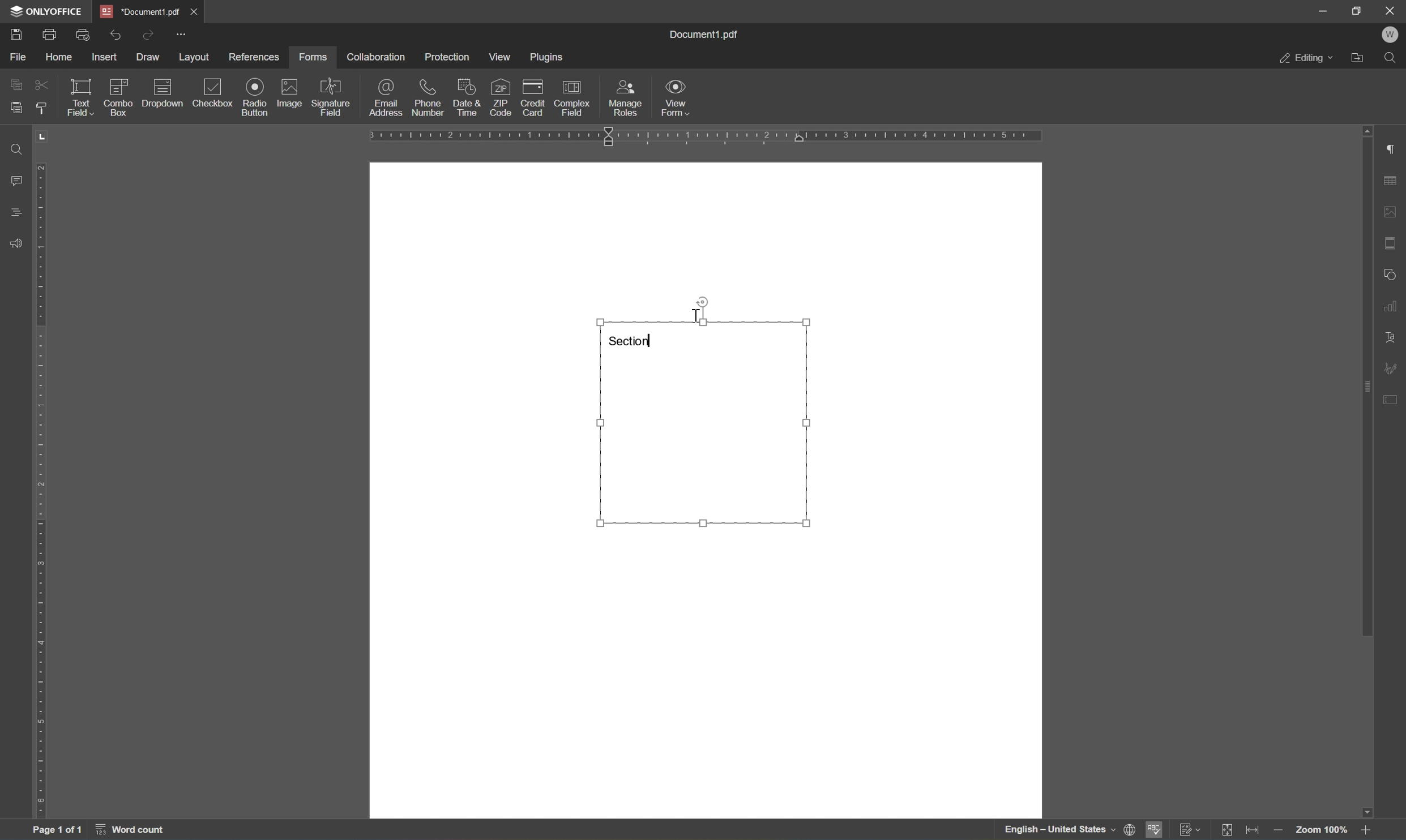  Describe the element at coordinates (682, 99) in the screenshot. I see `view form` at that location.